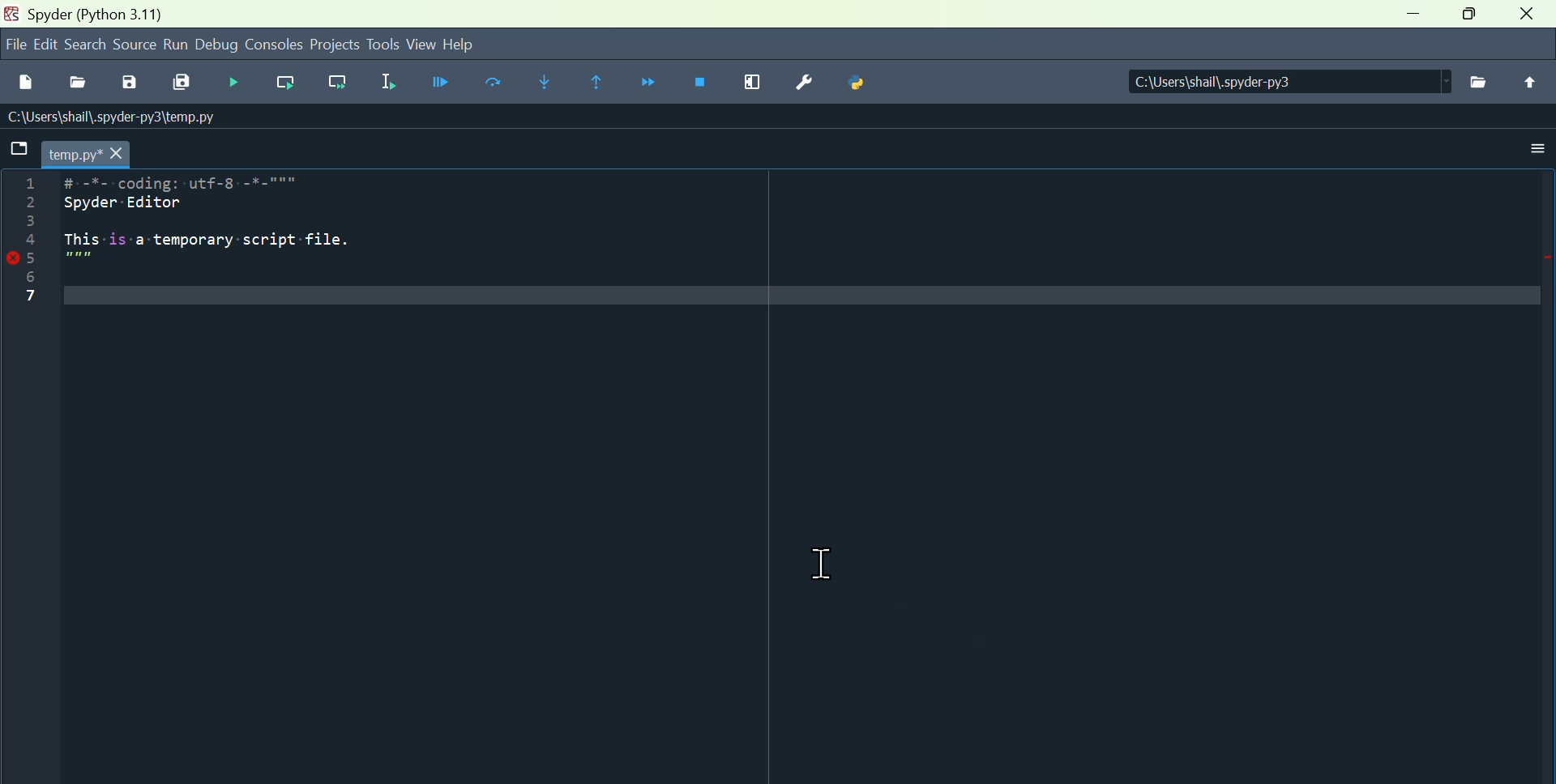  What do you see at coordinates (421, 45) in the screenshot?
I see `view` at bounding box center [421, 45].